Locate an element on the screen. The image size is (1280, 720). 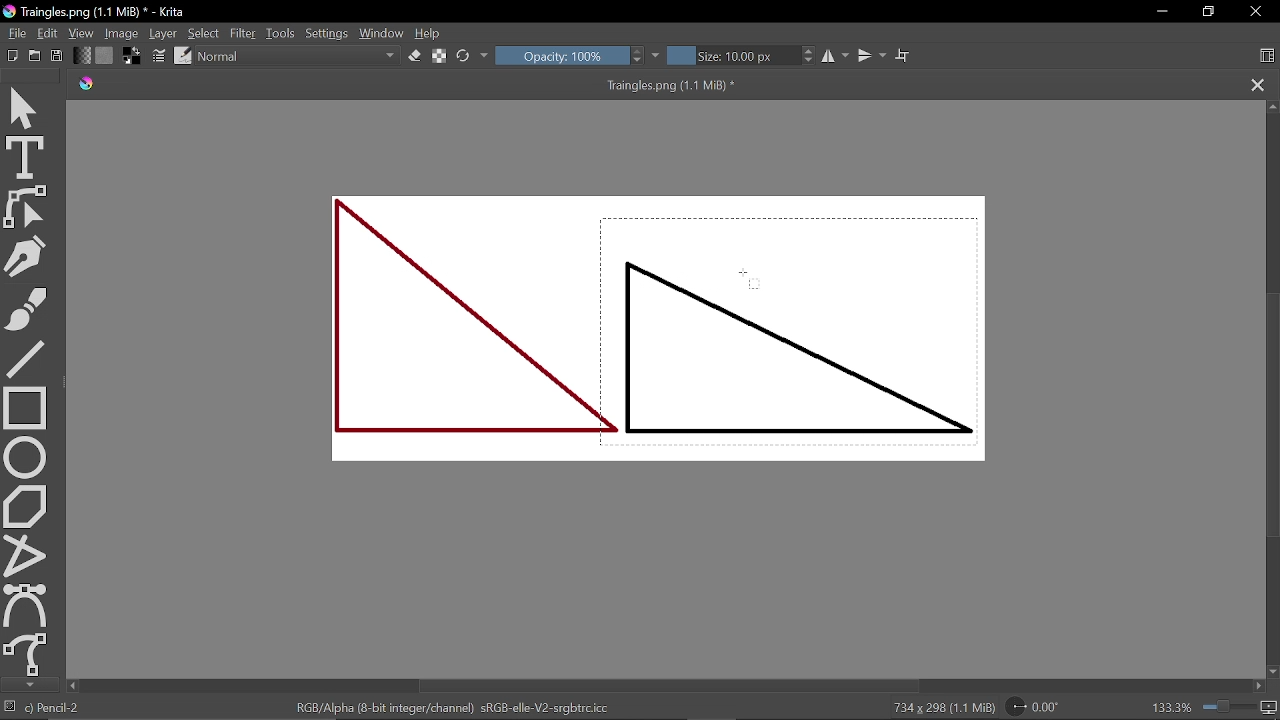
Ellipse tool is located at coordinates (25, 457).